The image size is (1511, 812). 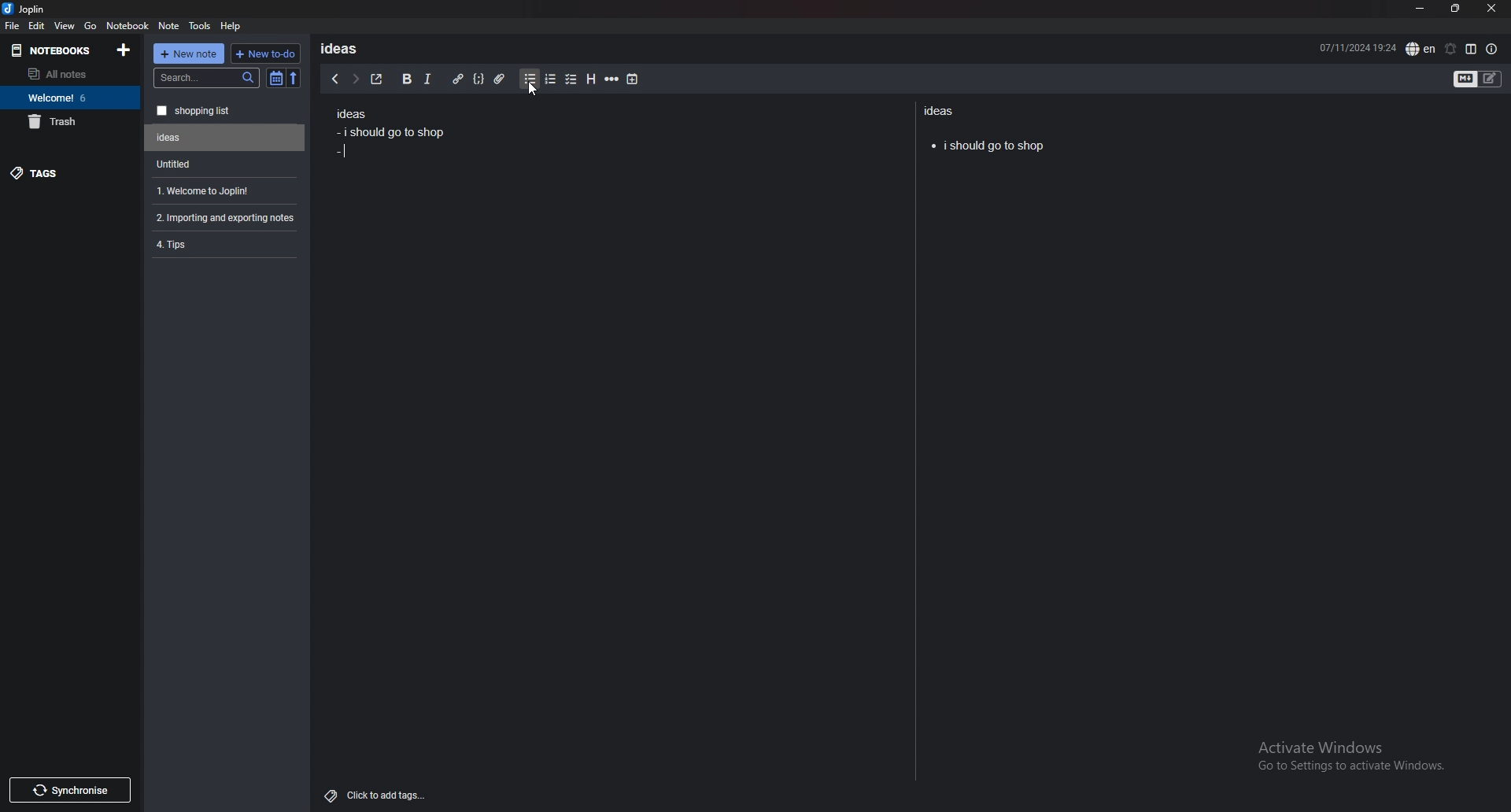 I want to click on close, so click(x=1491, y=9).